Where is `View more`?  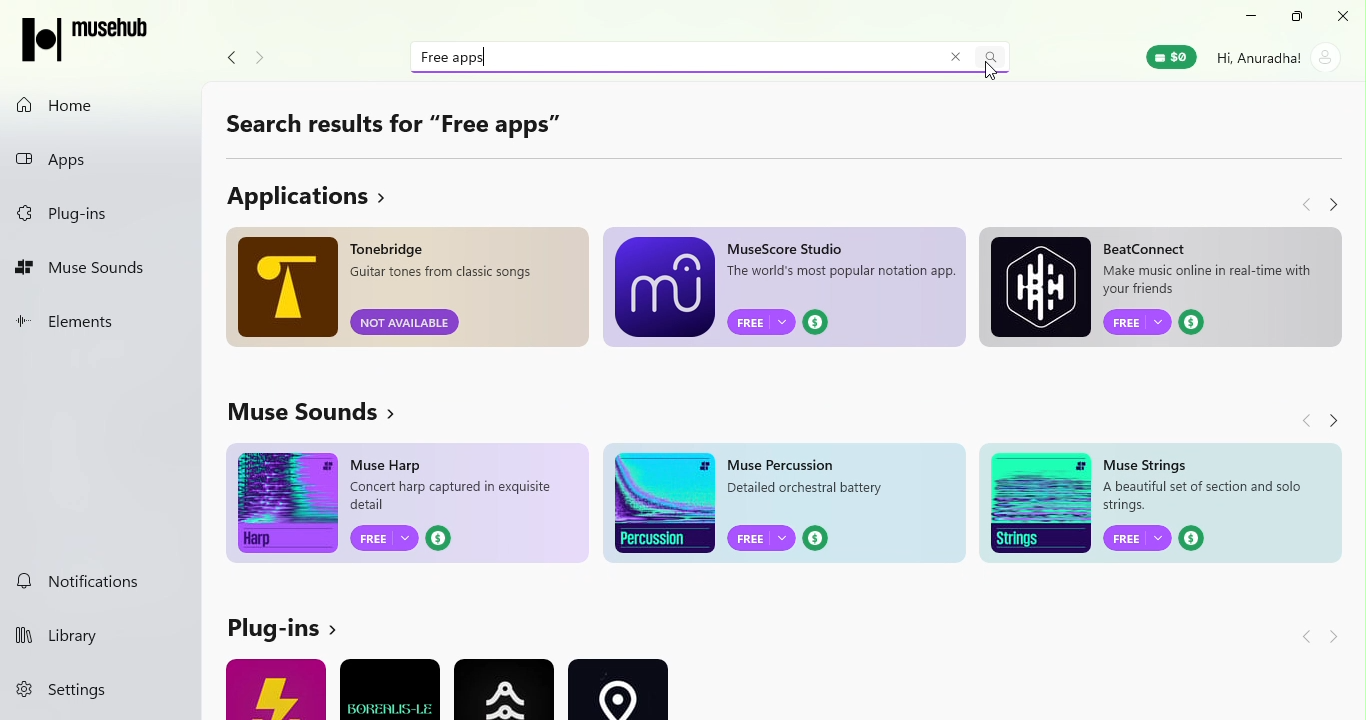
View more is located at coordinates (285, 630).